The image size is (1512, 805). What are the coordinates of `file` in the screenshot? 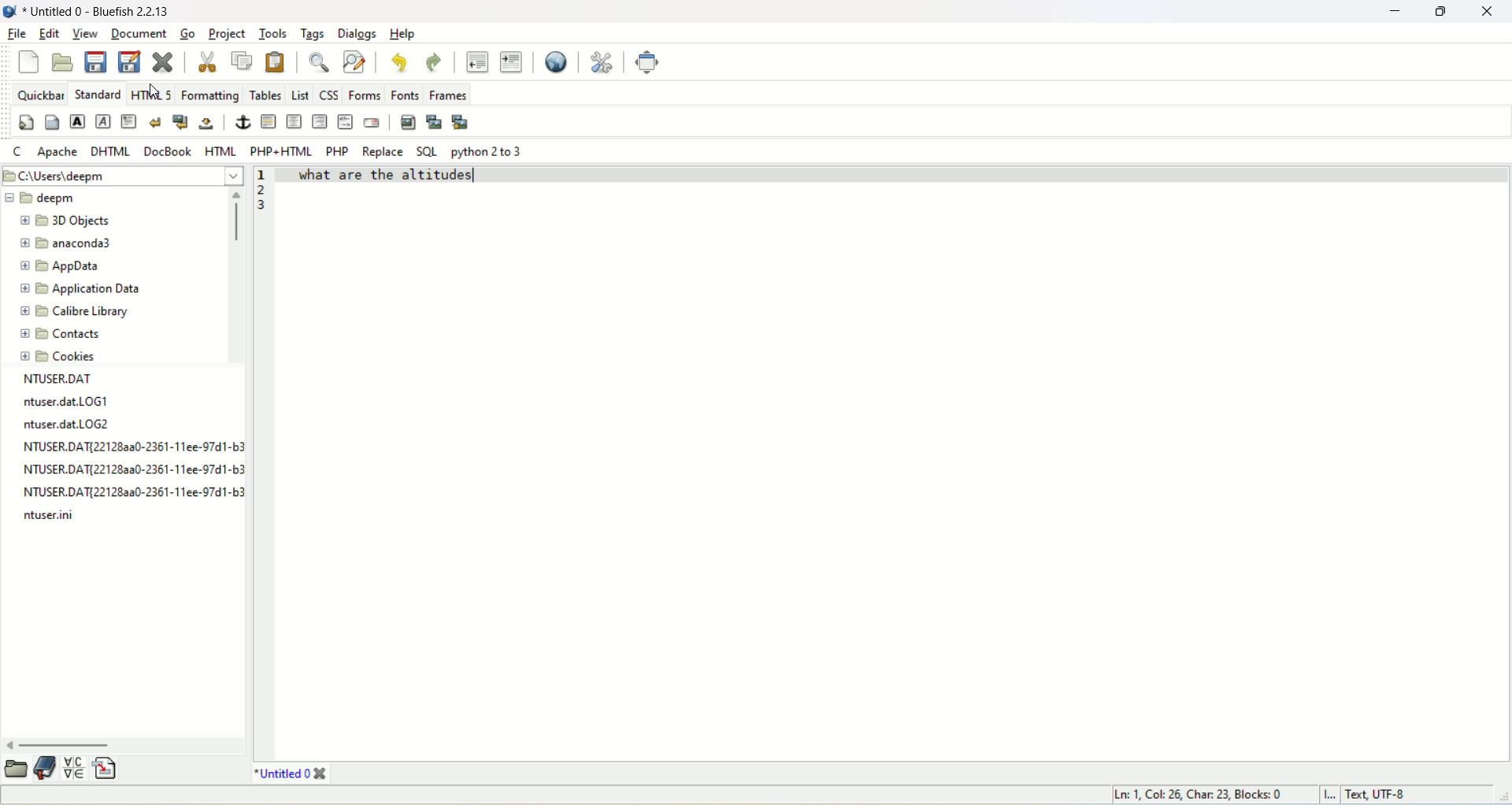 It's located at (17, 36).